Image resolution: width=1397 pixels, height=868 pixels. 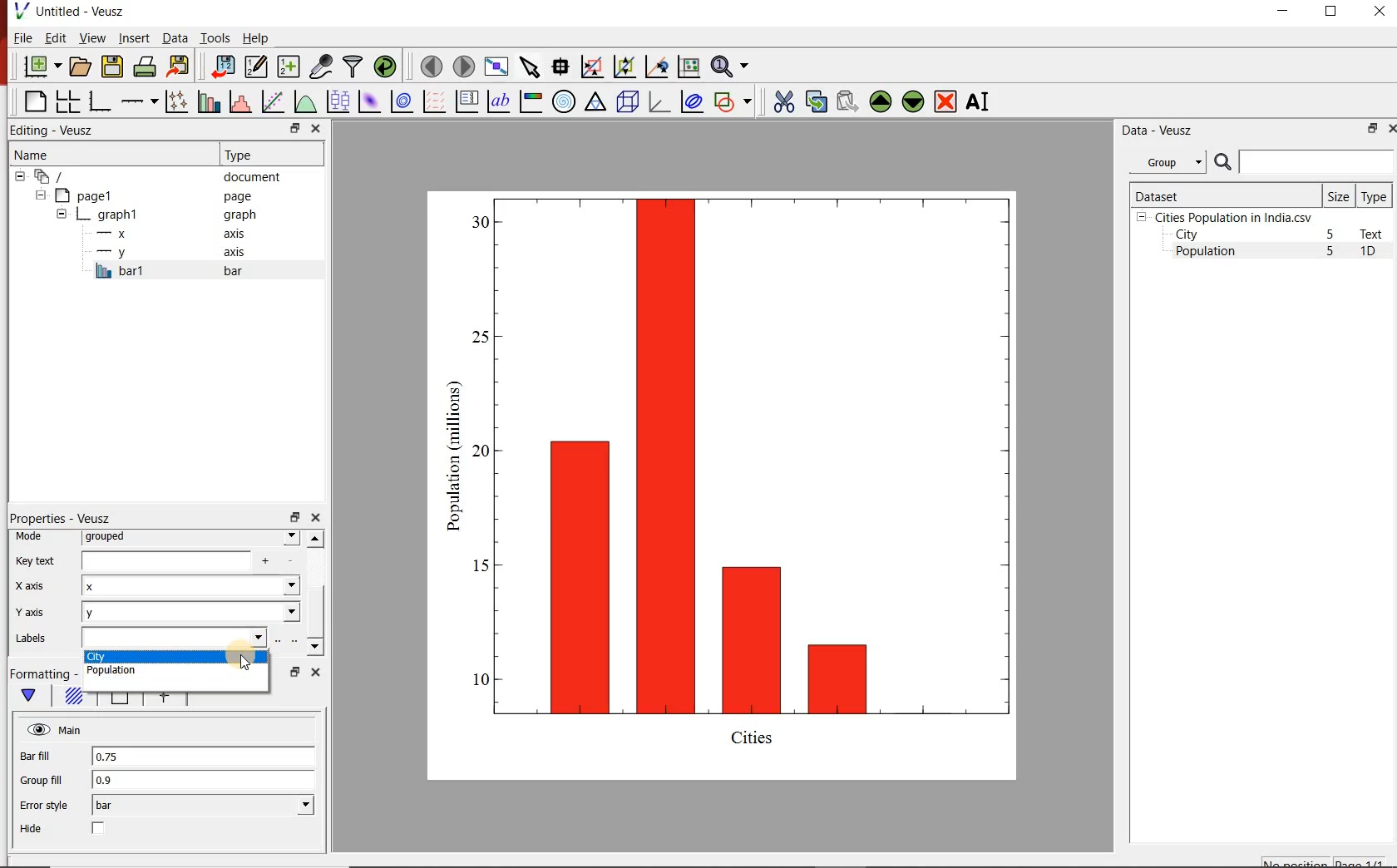 What do you see at coordinates (39, 67) in the screenshot?
I see `new document` at bounding box center [39, 67].